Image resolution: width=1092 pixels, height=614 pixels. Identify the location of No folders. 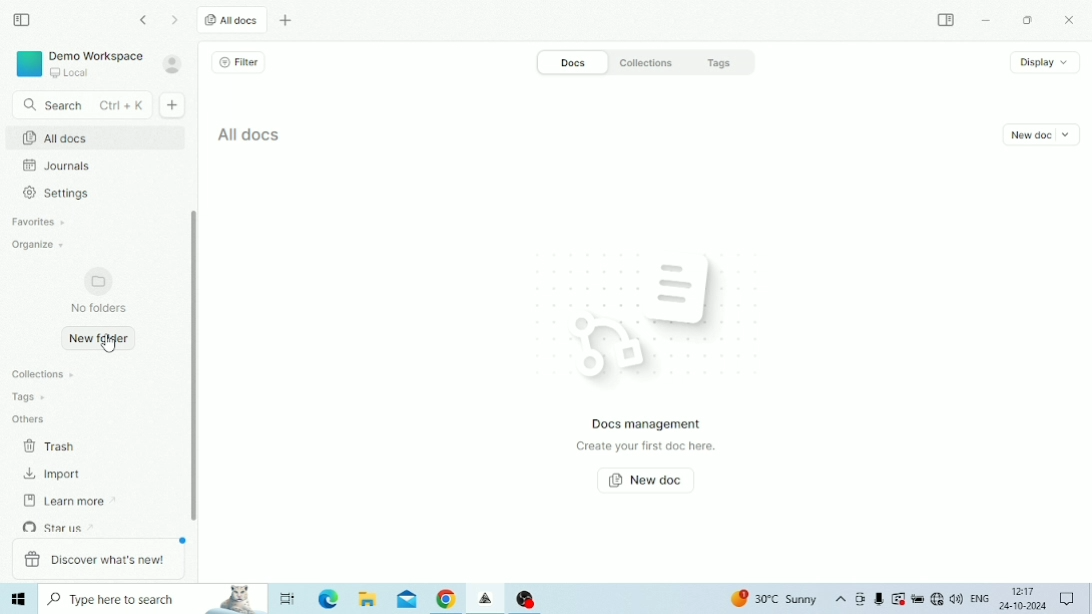
(98, 290).